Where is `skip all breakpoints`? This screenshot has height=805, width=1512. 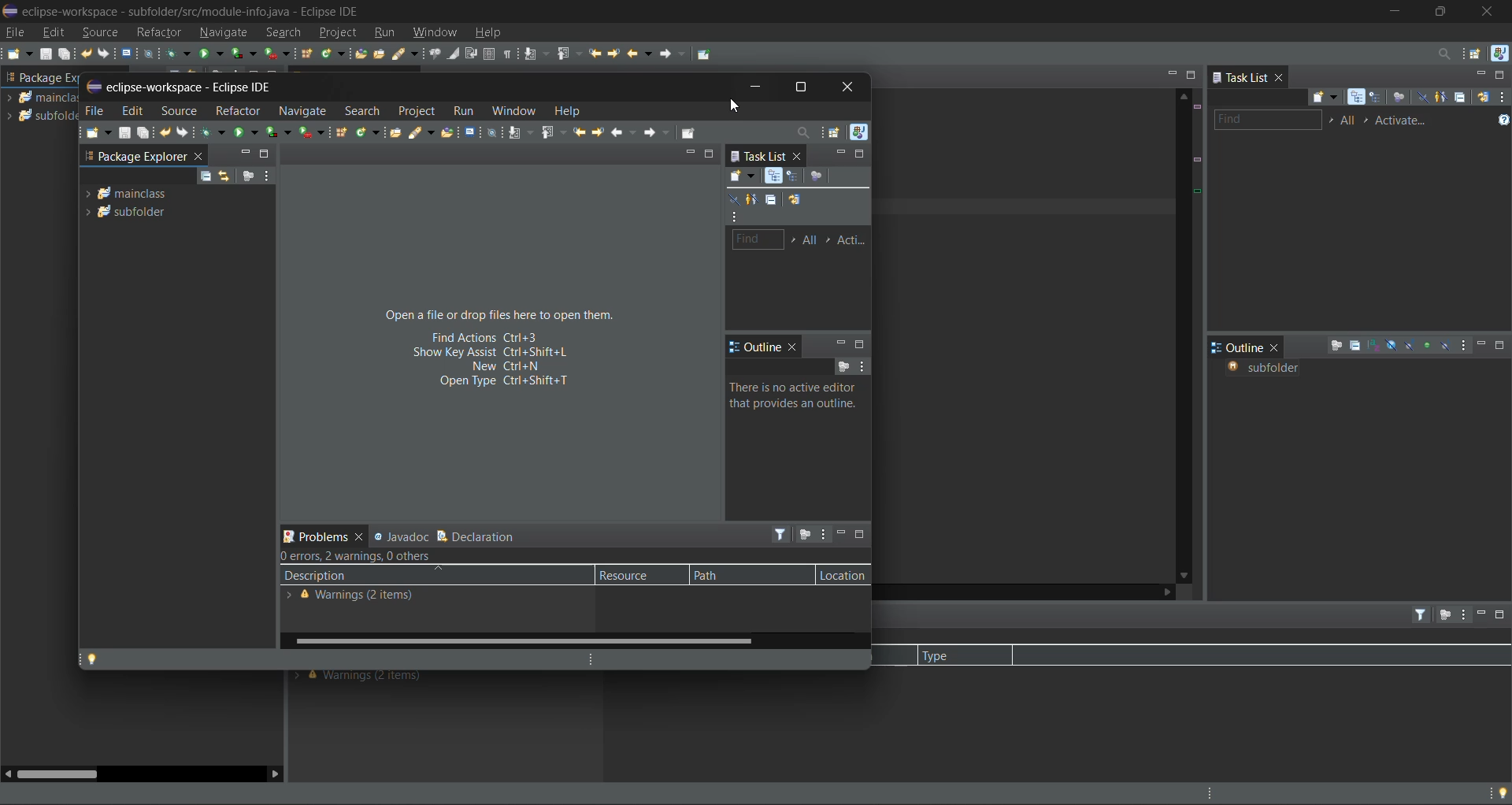 skip all breakpoints is located at coordinates (493, 133).